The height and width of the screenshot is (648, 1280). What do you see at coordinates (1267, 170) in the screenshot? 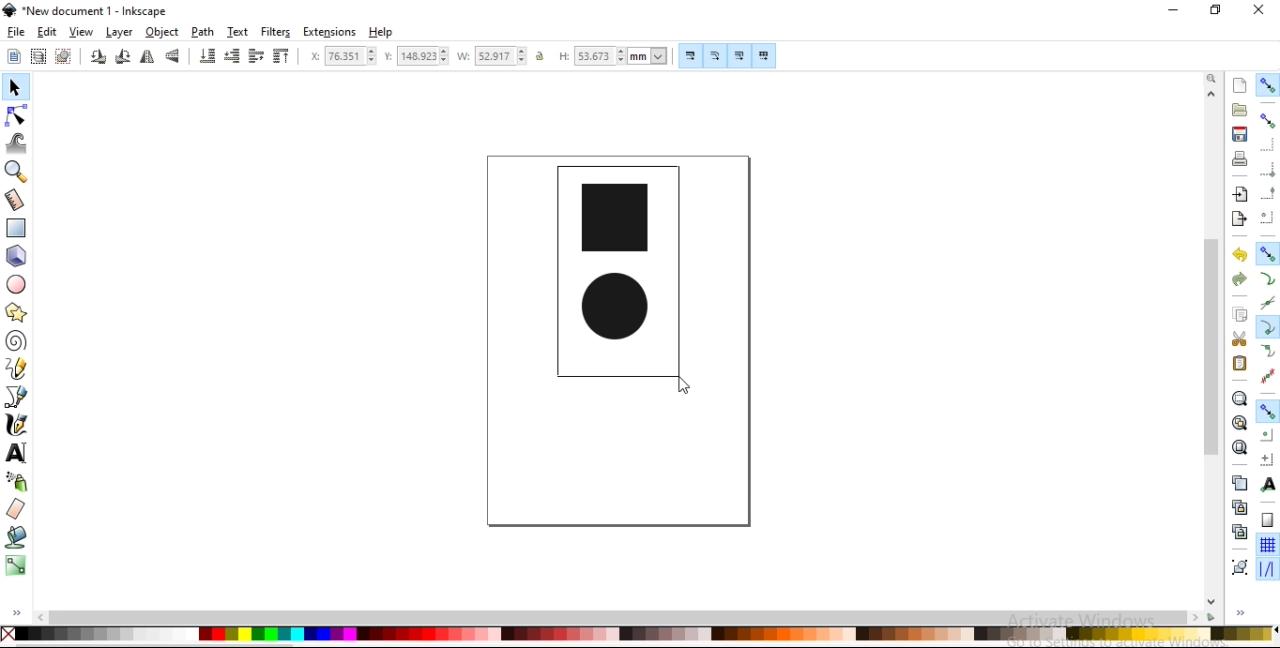
I see `snap bounding box corners` at bounding box center [1267, 170].